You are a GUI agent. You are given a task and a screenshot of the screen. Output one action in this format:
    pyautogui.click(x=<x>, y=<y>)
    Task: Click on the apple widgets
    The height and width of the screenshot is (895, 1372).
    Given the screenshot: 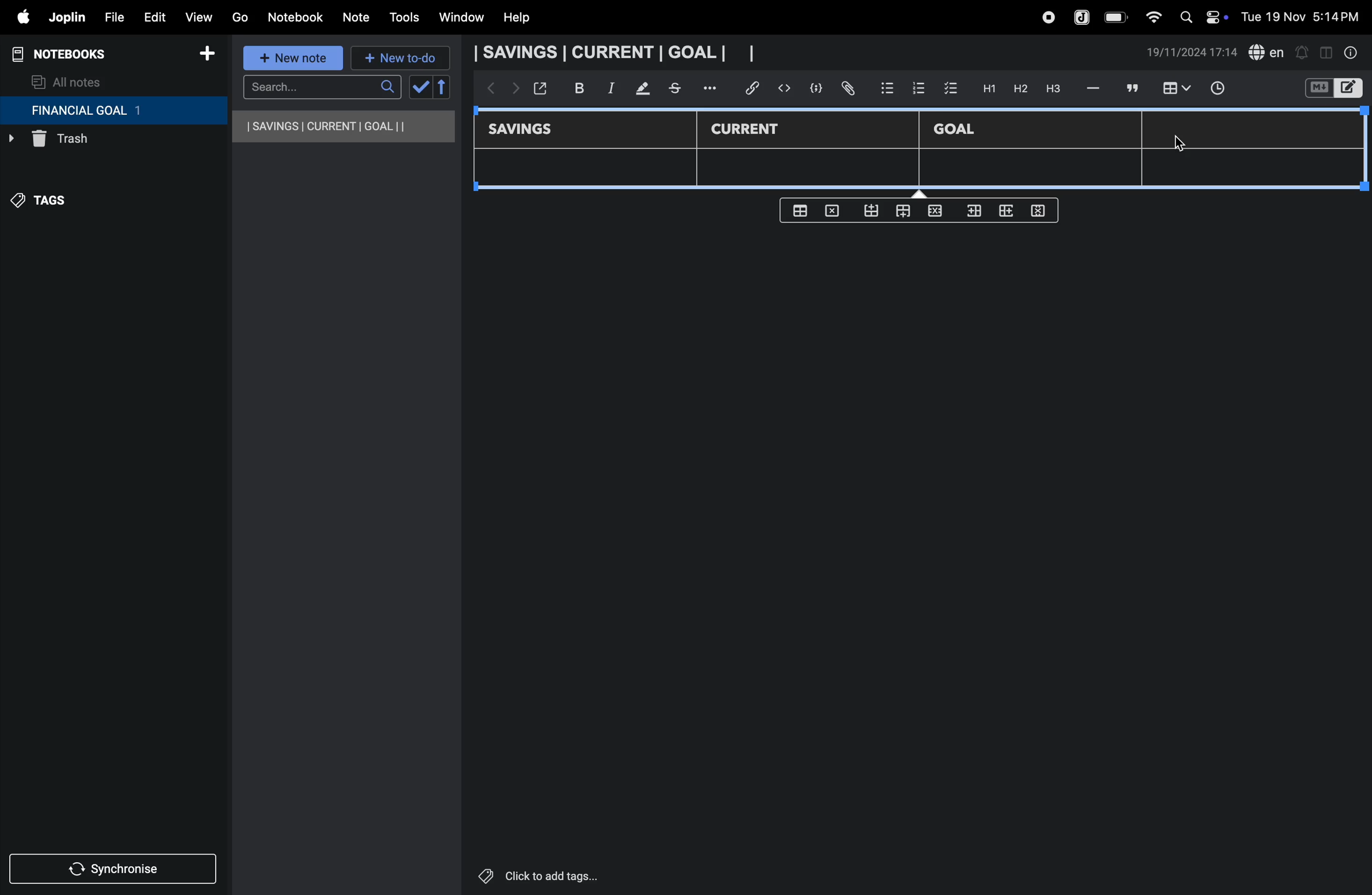 What is the action you would take?
    pyautogui.click(x=1201, y=16)
    